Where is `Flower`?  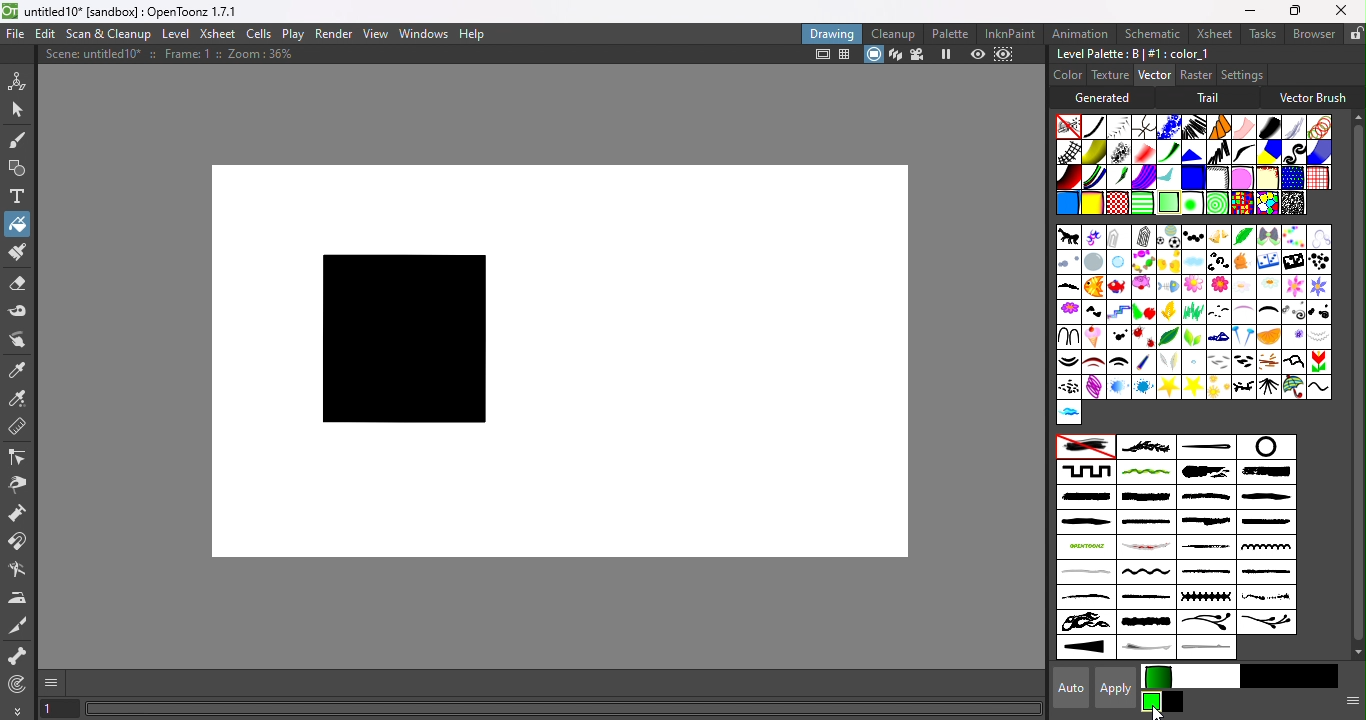 Flower is located at coordinates (1067, 311).